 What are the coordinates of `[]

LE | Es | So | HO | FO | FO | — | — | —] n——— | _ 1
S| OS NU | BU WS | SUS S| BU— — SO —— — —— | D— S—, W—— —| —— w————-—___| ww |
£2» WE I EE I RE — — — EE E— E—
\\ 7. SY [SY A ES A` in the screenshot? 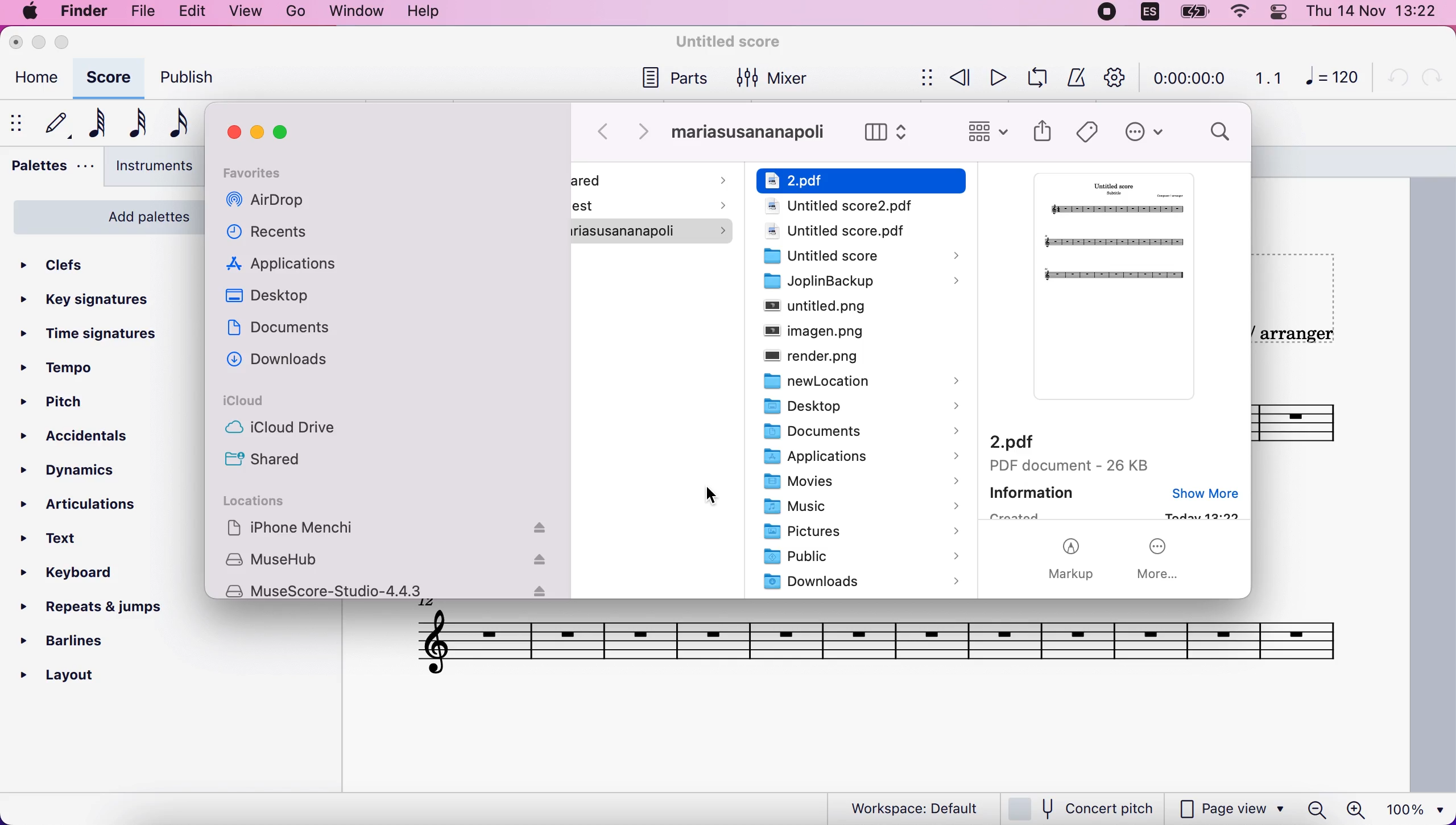 It's located at (871, 641).